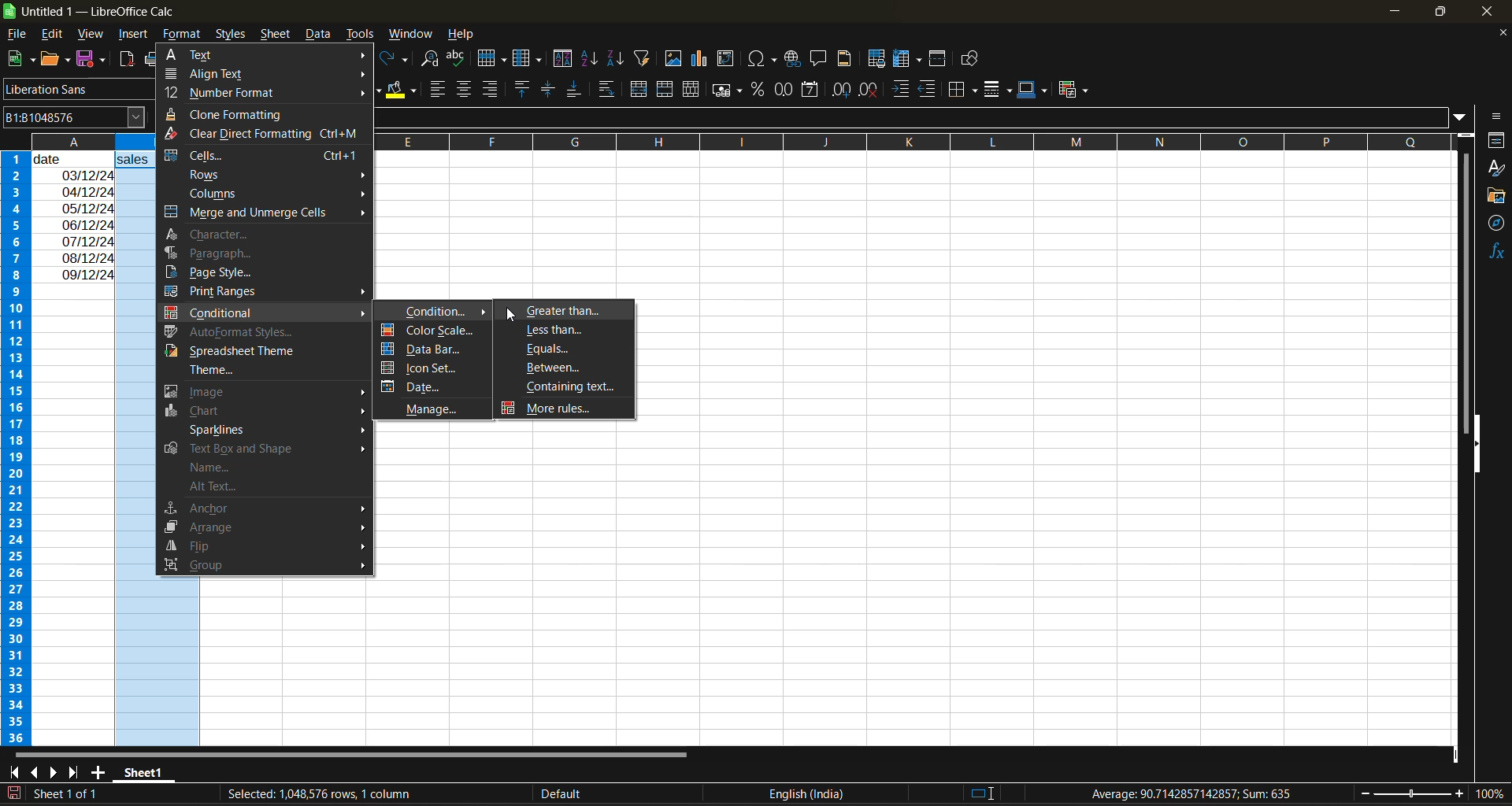 The height and width of the screenshot is (806, 1512). I want to click on alt text, so click(228, 490).